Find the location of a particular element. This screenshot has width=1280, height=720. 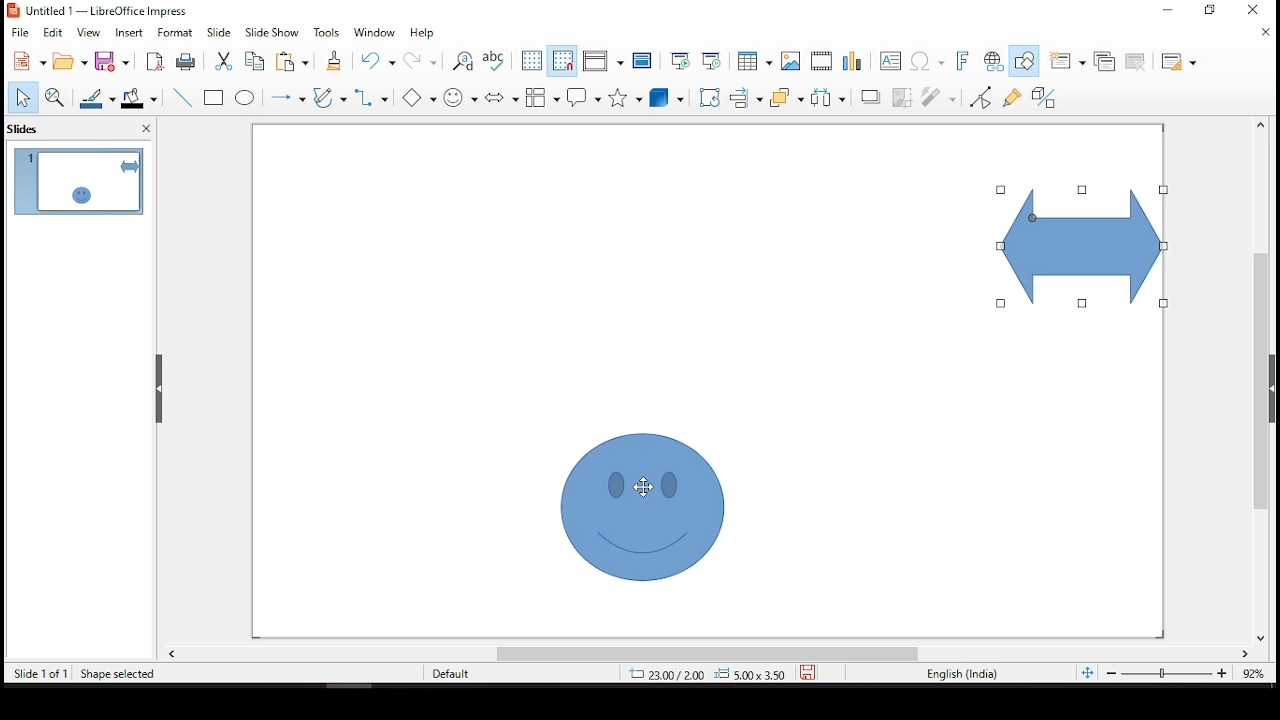

zoom and pan is located at coordinates (53, 95).